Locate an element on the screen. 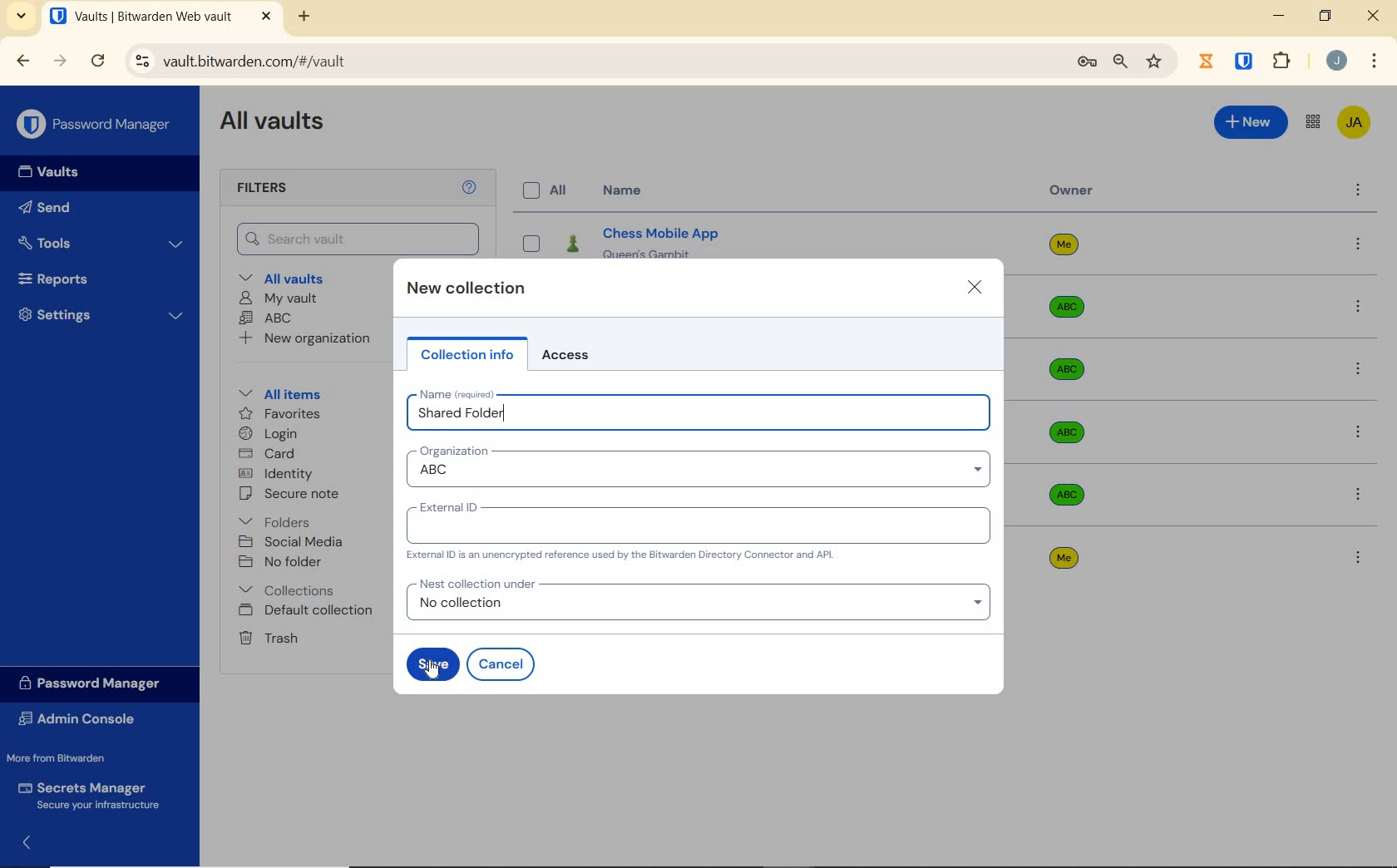 The width and height of the screenshot is (1397, 868). more options is located at coordinates (1357, 192).